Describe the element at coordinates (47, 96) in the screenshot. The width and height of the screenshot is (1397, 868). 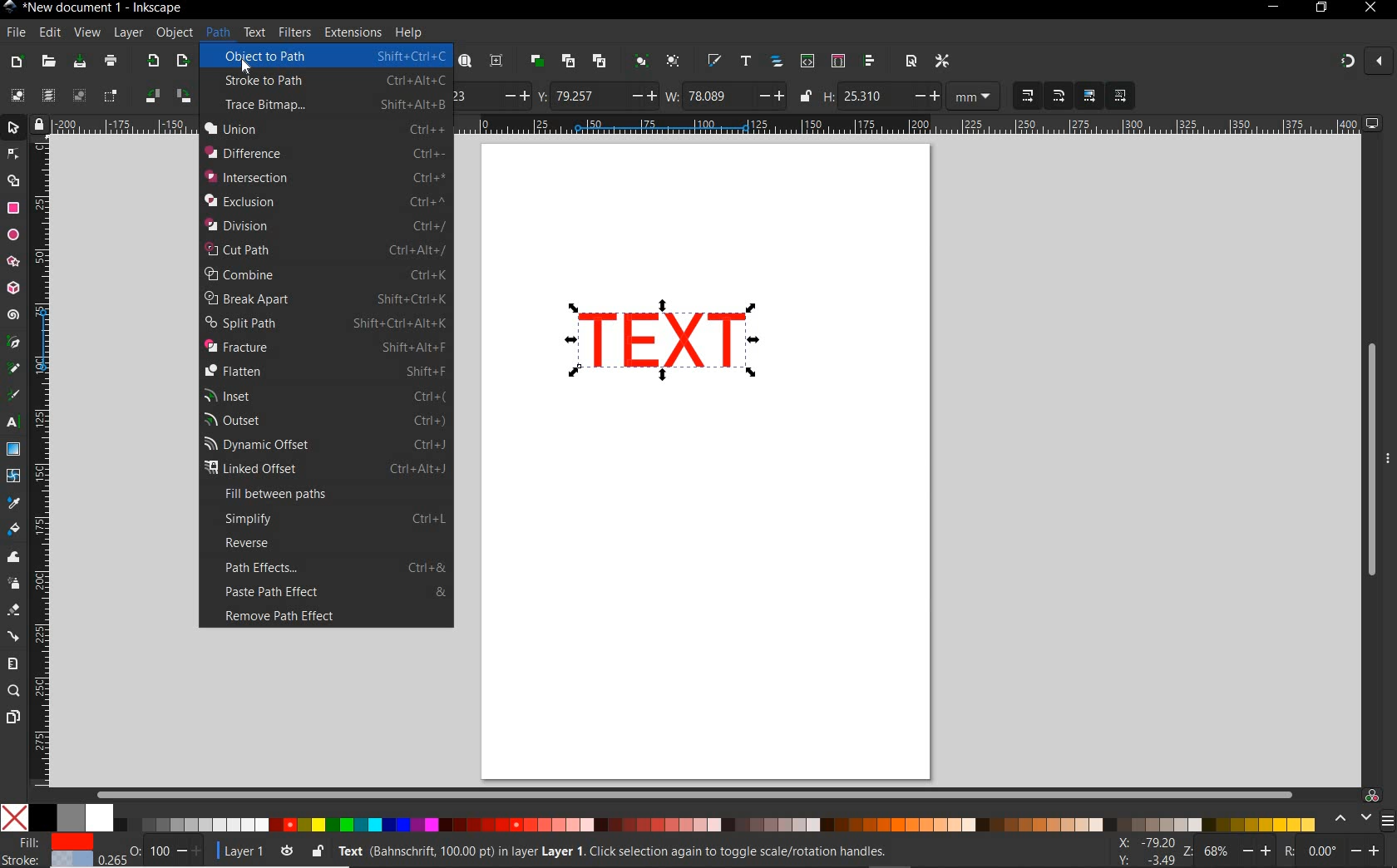
I see `SELECT ALL IN ALL LAYERS` at that location.